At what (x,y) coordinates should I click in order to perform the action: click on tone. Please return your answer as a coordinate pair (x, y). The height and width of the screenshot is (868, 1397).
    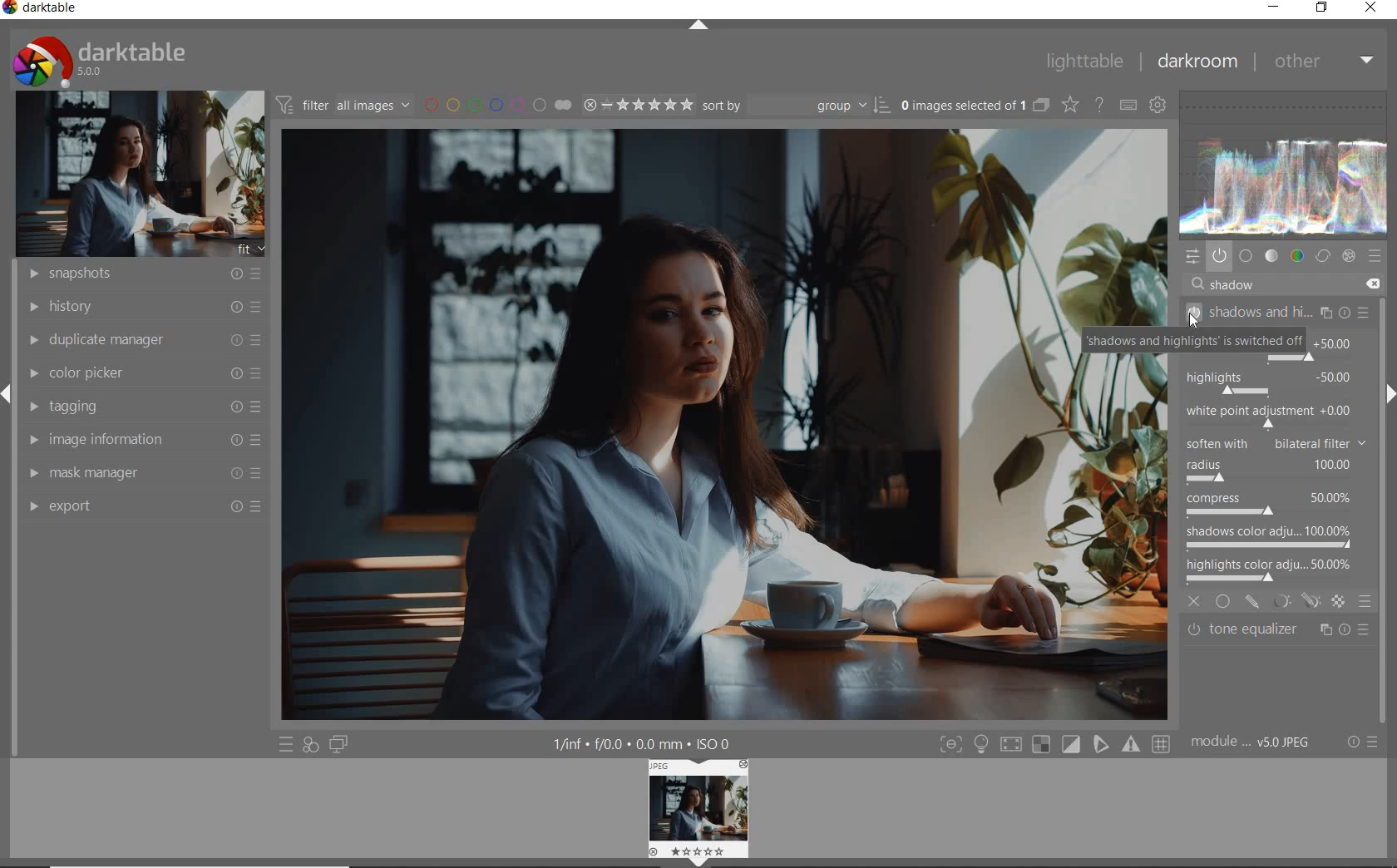
    Looking at the image, I should click on (1271, 255).